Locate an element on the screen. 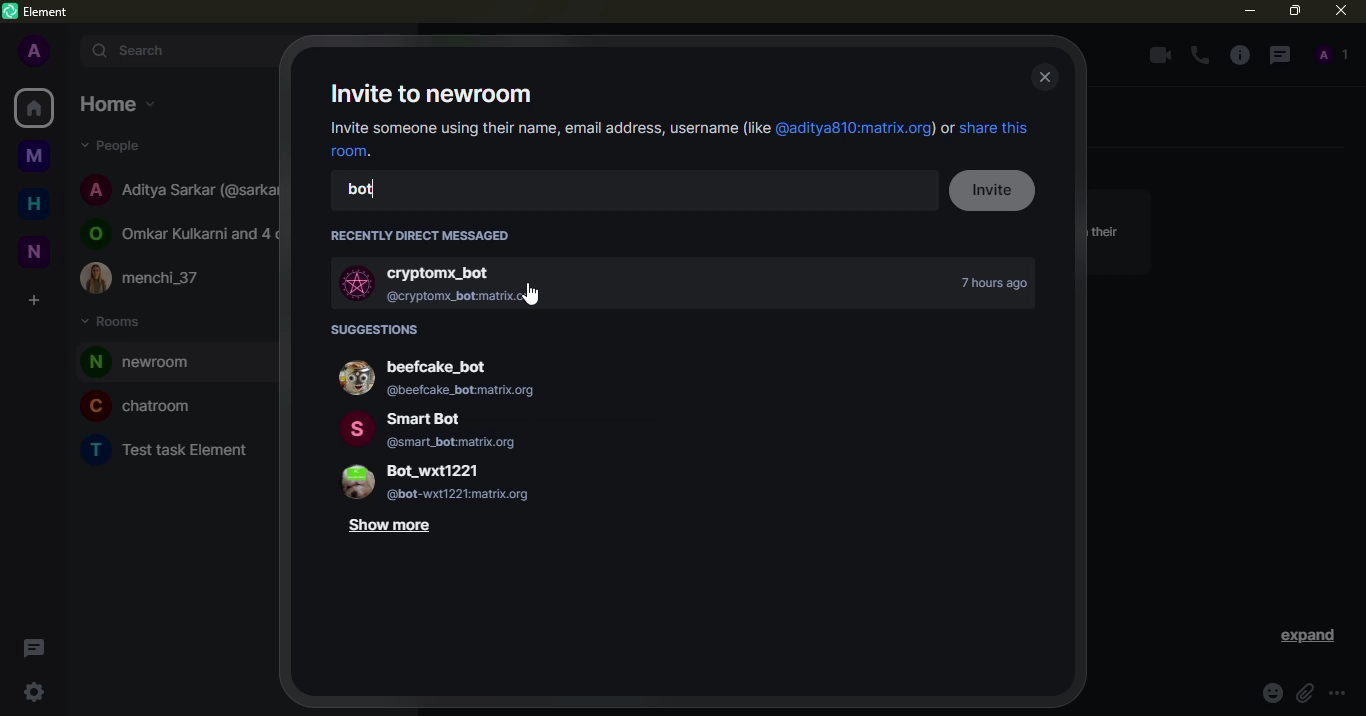  time is located at coordinates (996, 281).